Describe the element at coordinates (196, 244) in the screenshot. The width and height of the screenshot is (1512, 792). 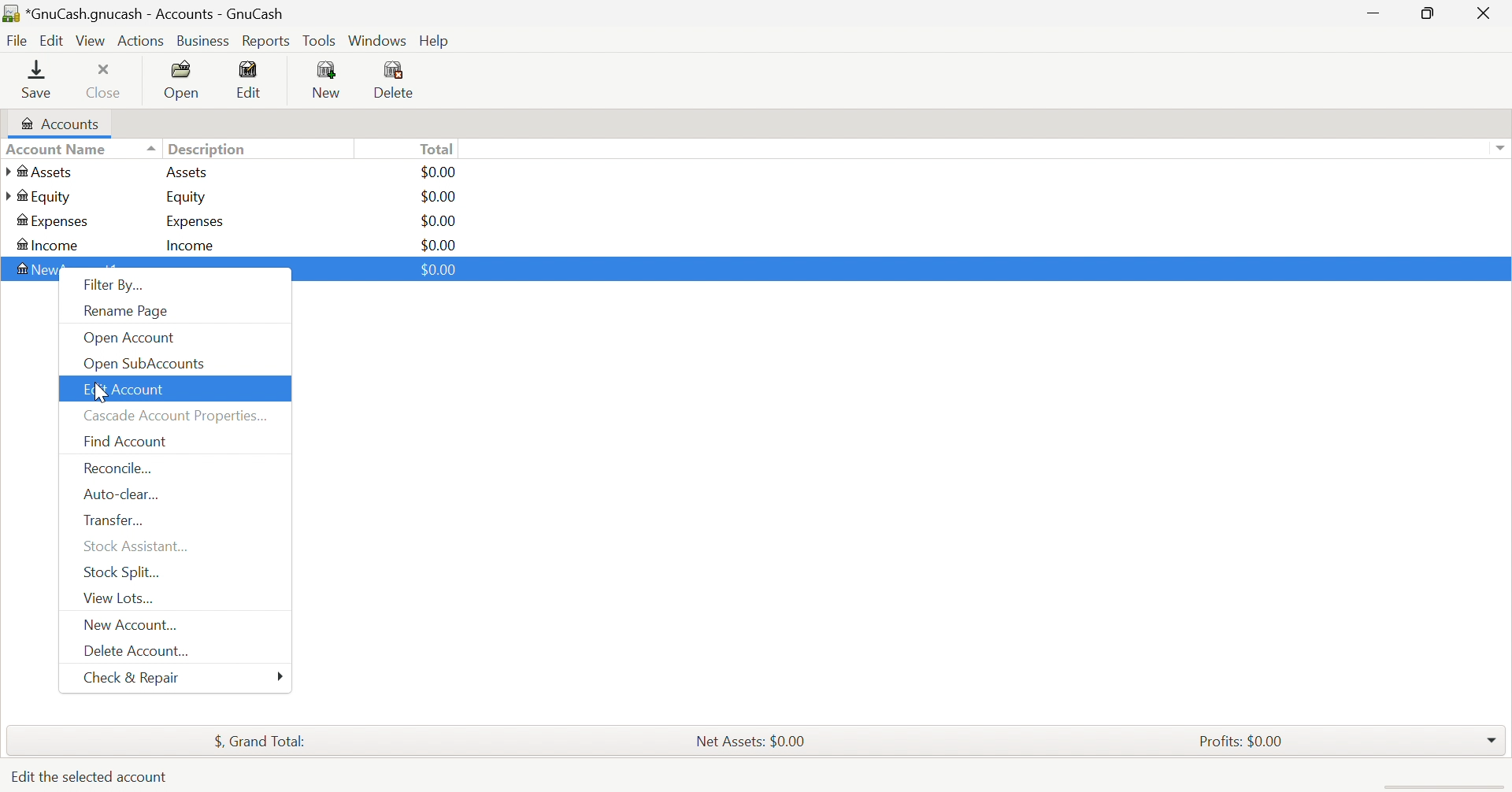
I see `Income` at that location.